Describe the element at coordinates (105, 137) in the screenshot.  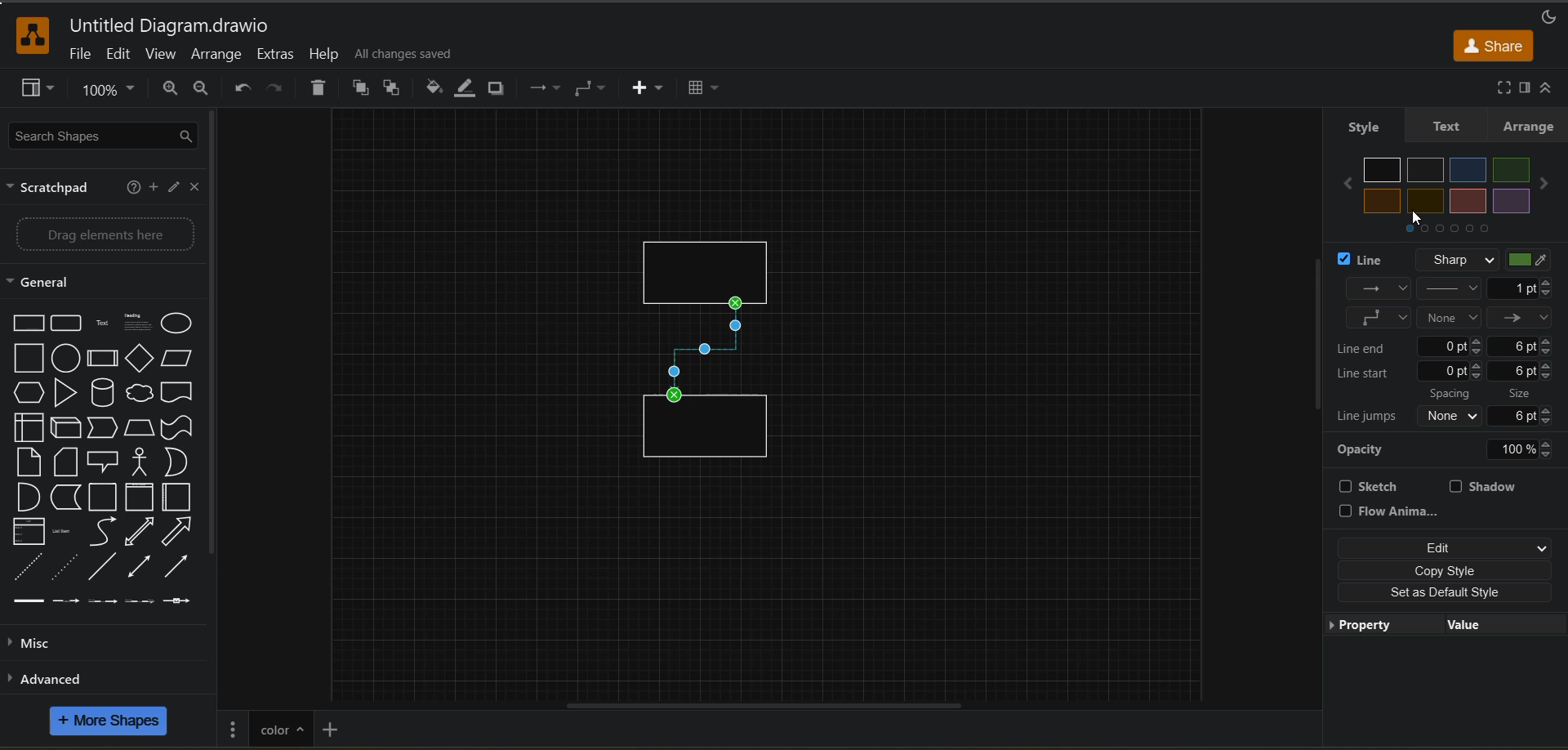
I see `search shapes` at that location.